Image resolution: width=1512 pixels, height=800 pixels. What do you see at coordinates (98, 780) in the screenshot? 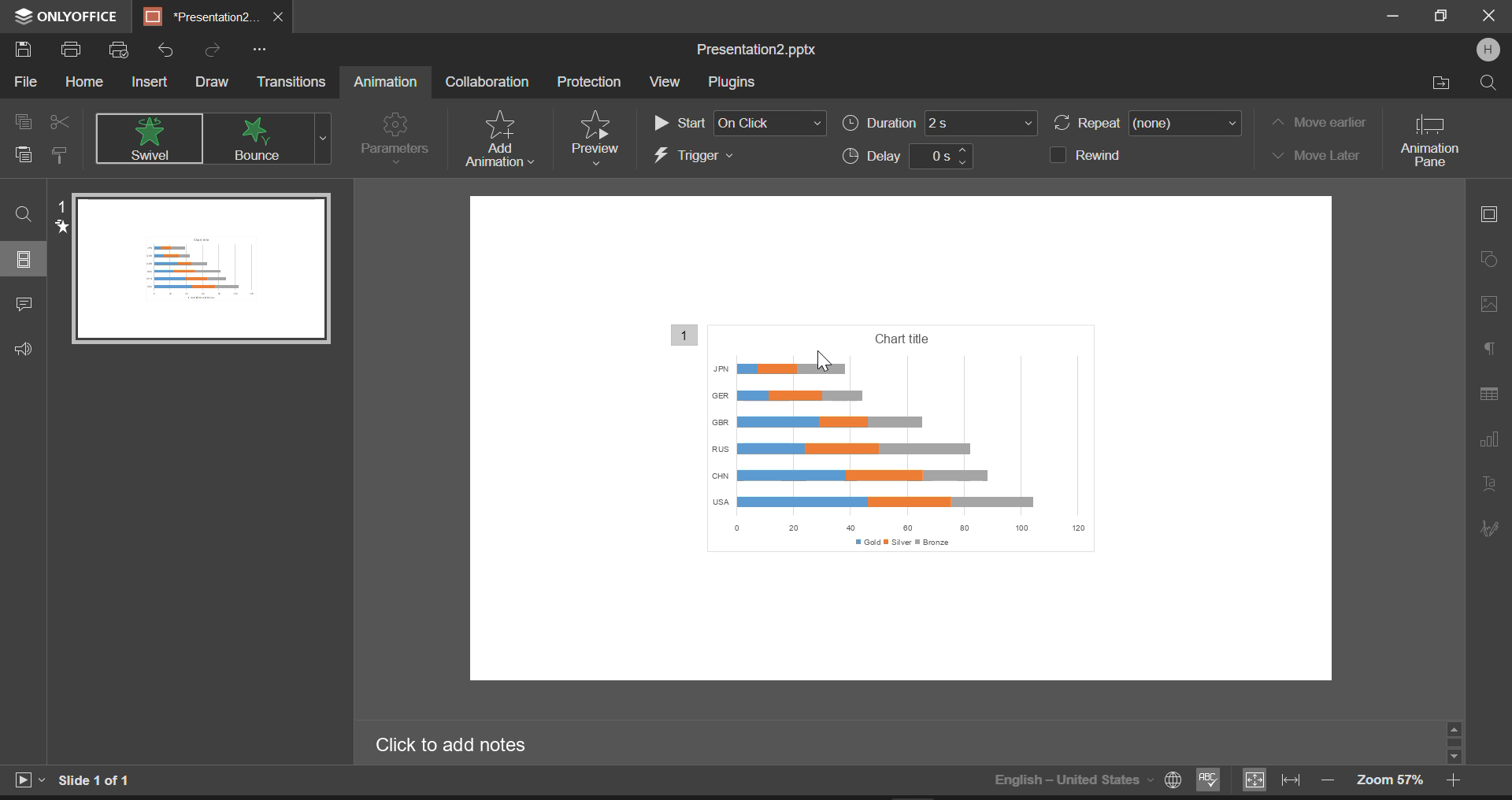
I see `Slide 1 of 1` at bounding box center [98, 780].